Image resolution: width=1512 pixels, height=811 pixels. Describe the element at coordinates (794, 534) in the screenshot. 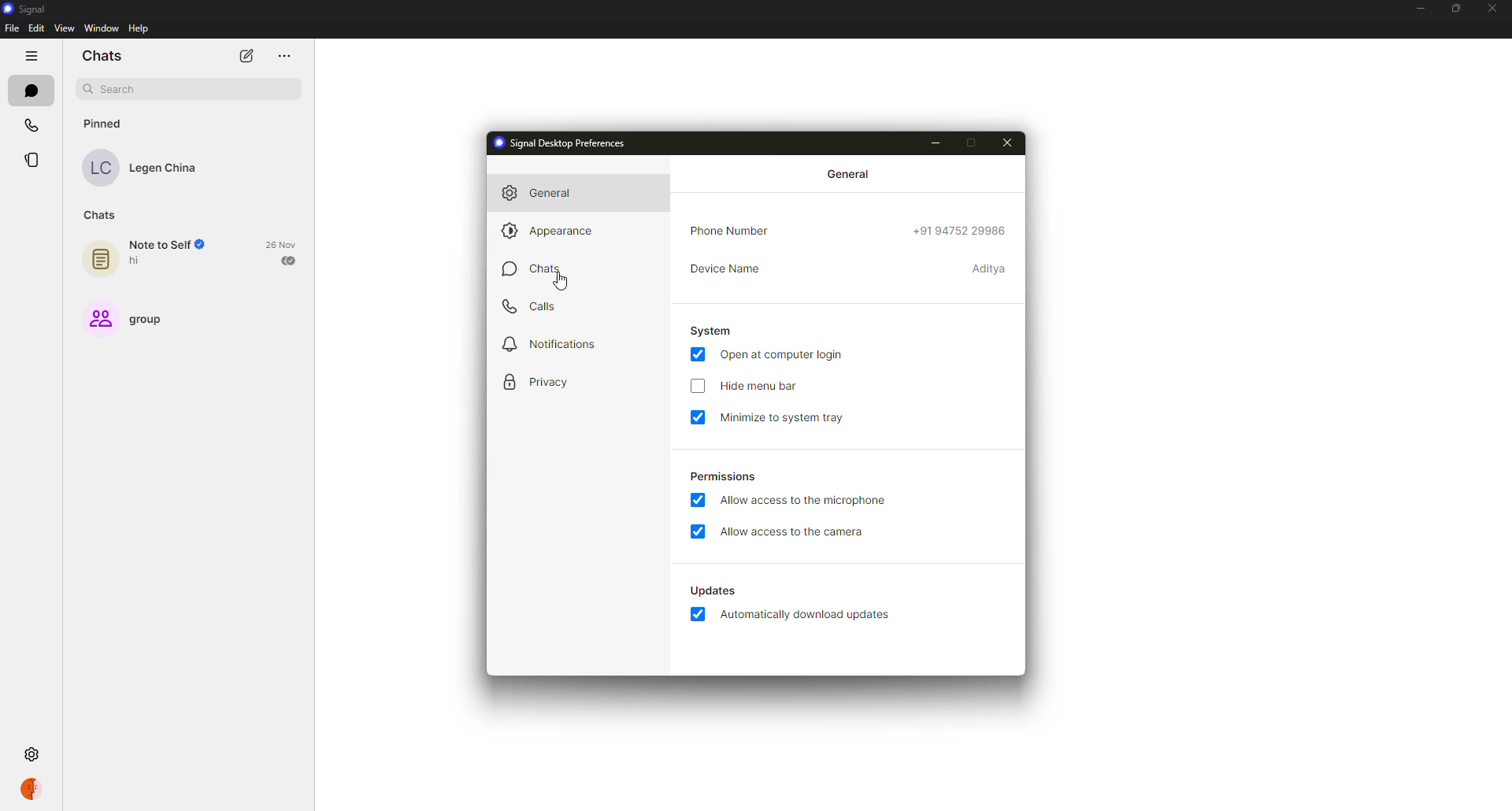

I see `allow access to camera` at that location.